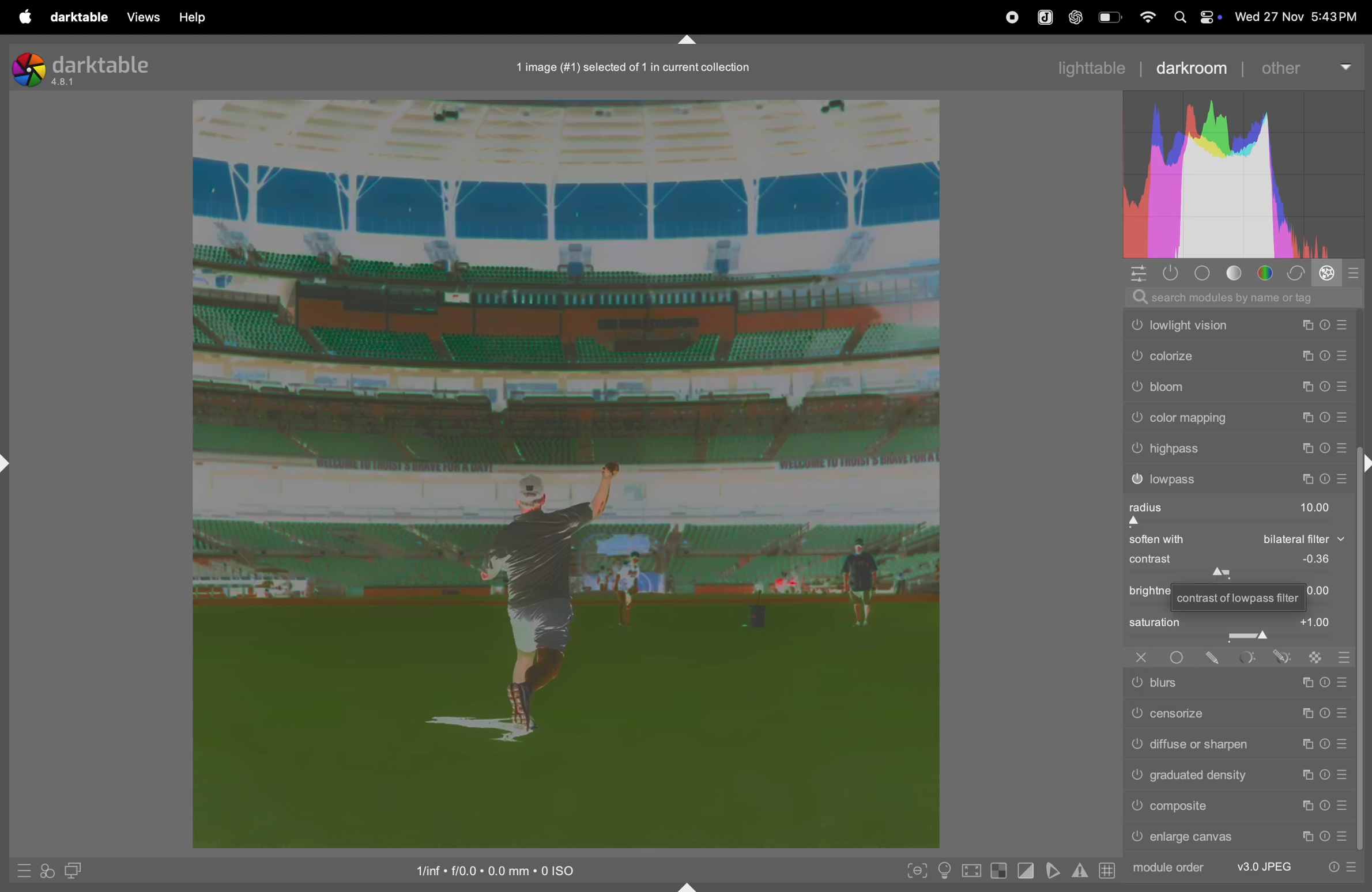 This screenshot has height=892, width=1372. Describe the element at coordinates (1238, 774) in the screenshot. I see `gradient density` at that location.